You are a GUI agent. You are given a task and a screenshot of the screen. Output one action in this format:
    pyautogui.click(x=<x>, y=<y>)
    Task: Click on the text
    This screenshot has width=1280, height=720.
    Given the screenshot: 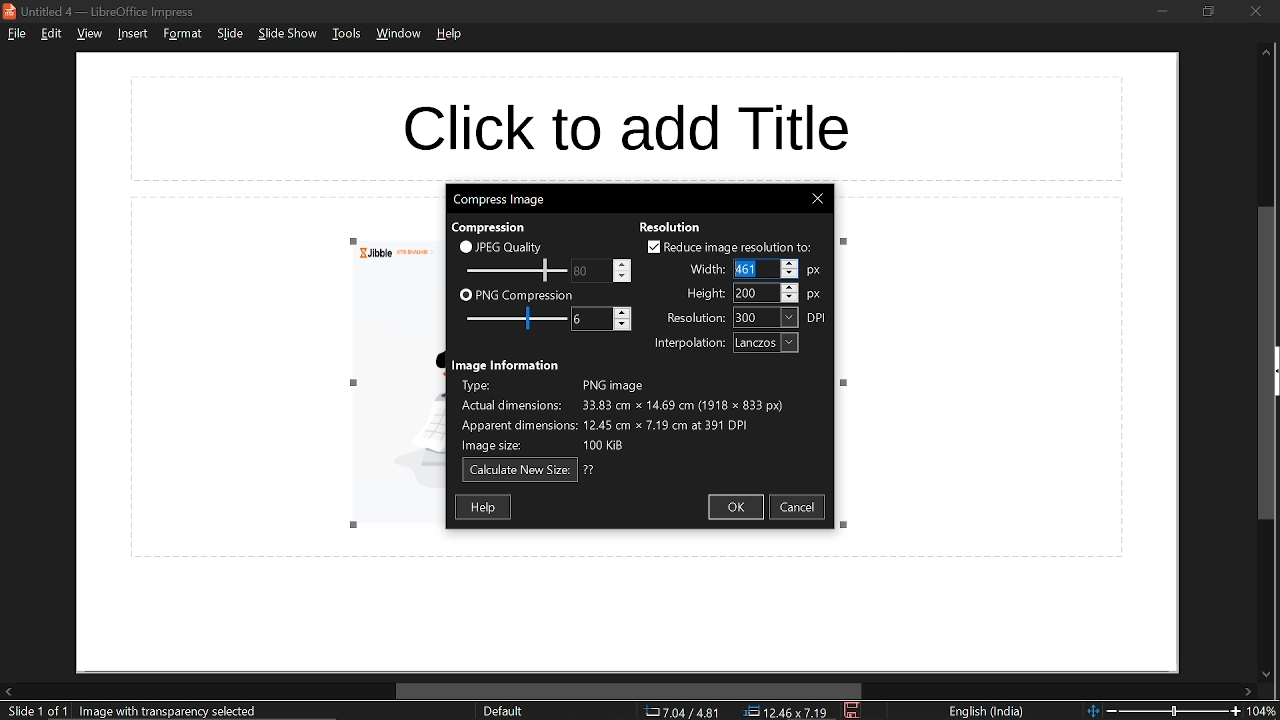 What is the action you would take?
    pyautogui.click(x=590, y=470)
    